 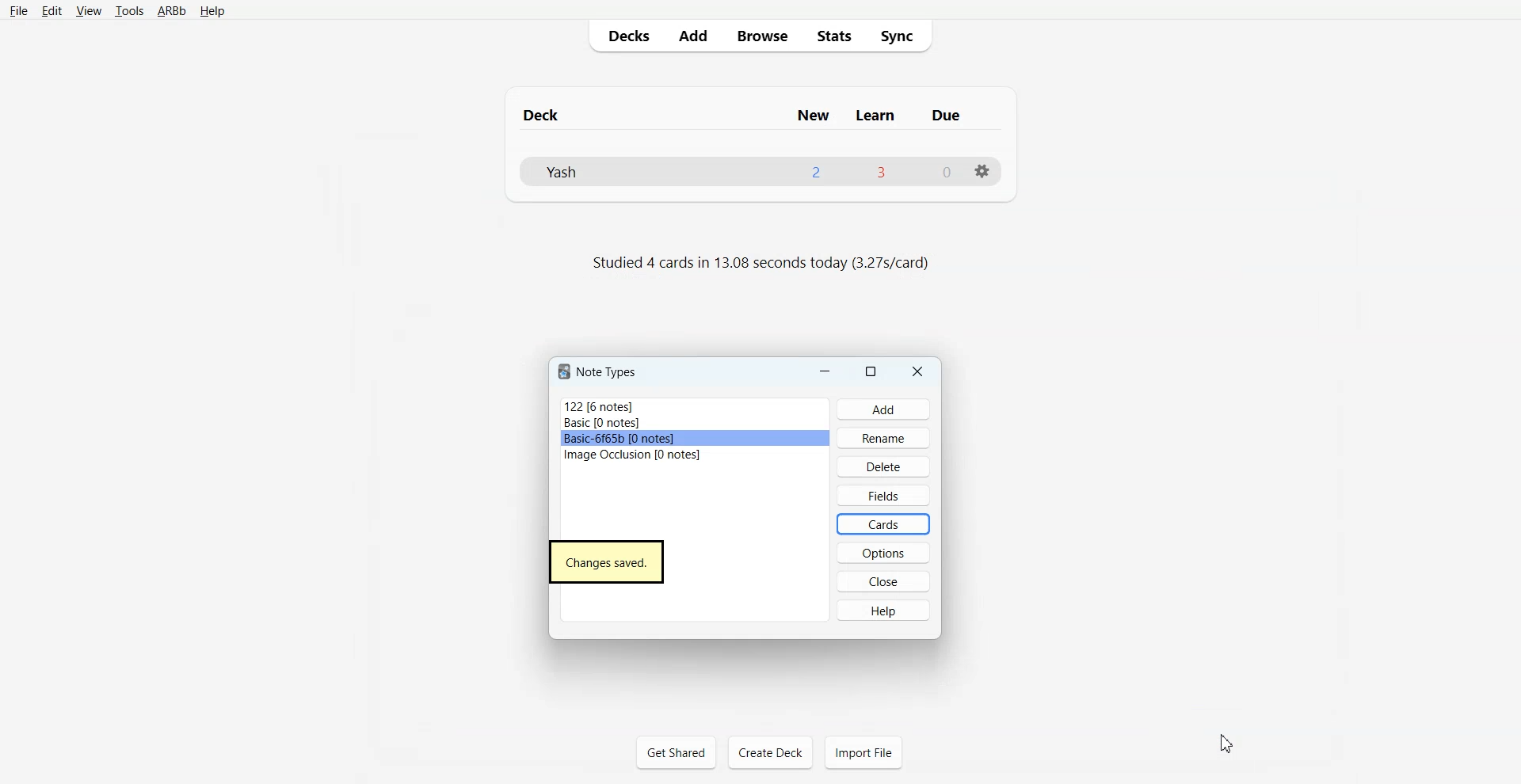 I want to click on rename, so click(x=890, y=441).